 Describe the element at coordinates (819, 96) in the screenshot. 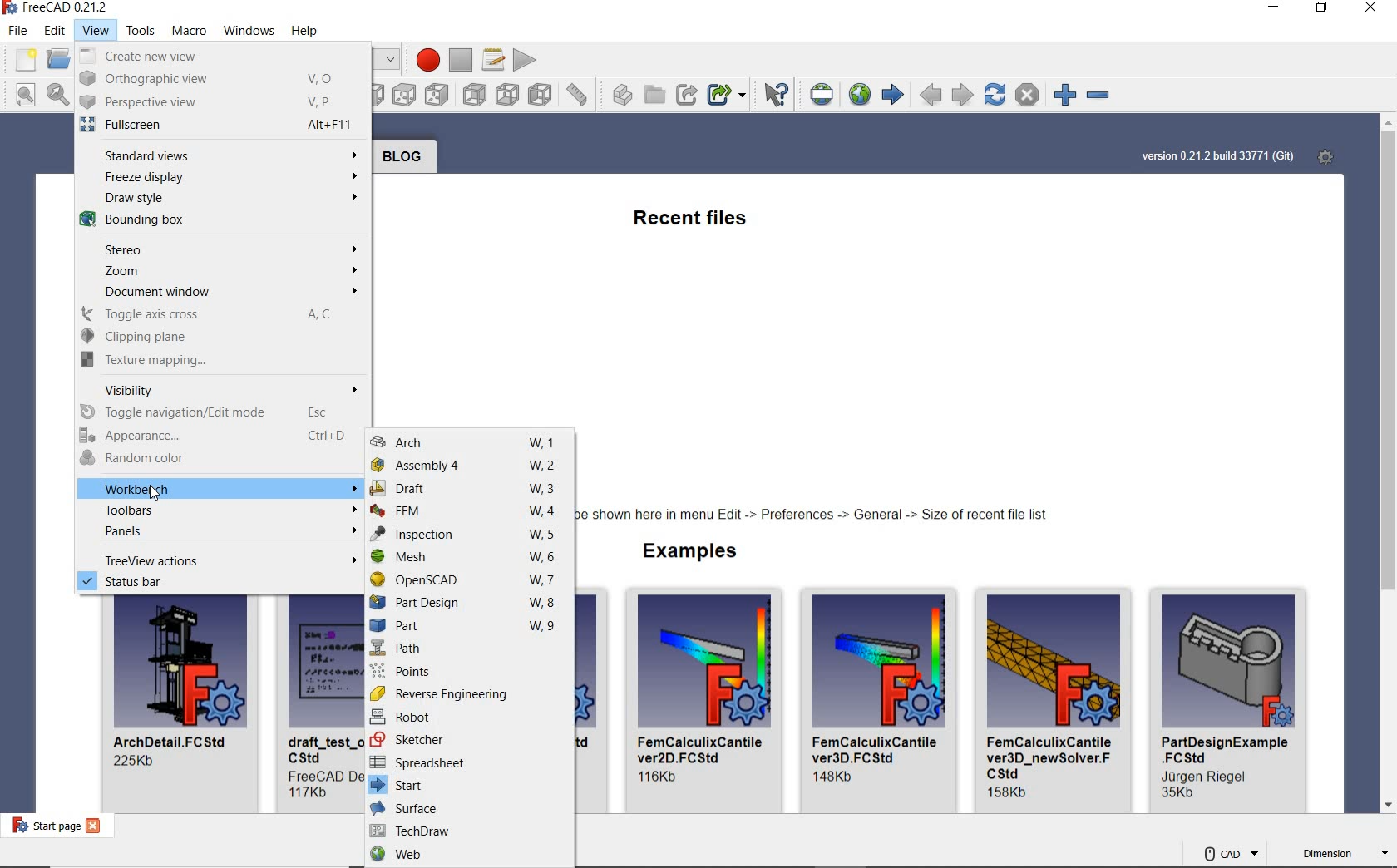

I see `set URL` at that location.